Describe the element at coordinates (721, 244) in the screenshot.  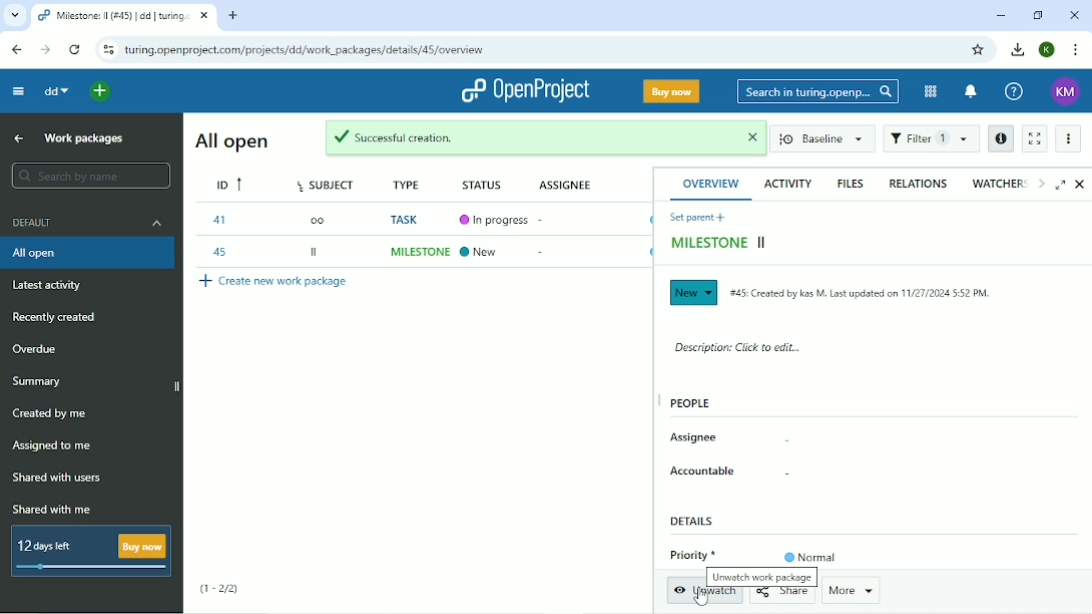
I see `Milestone ll` at that location.